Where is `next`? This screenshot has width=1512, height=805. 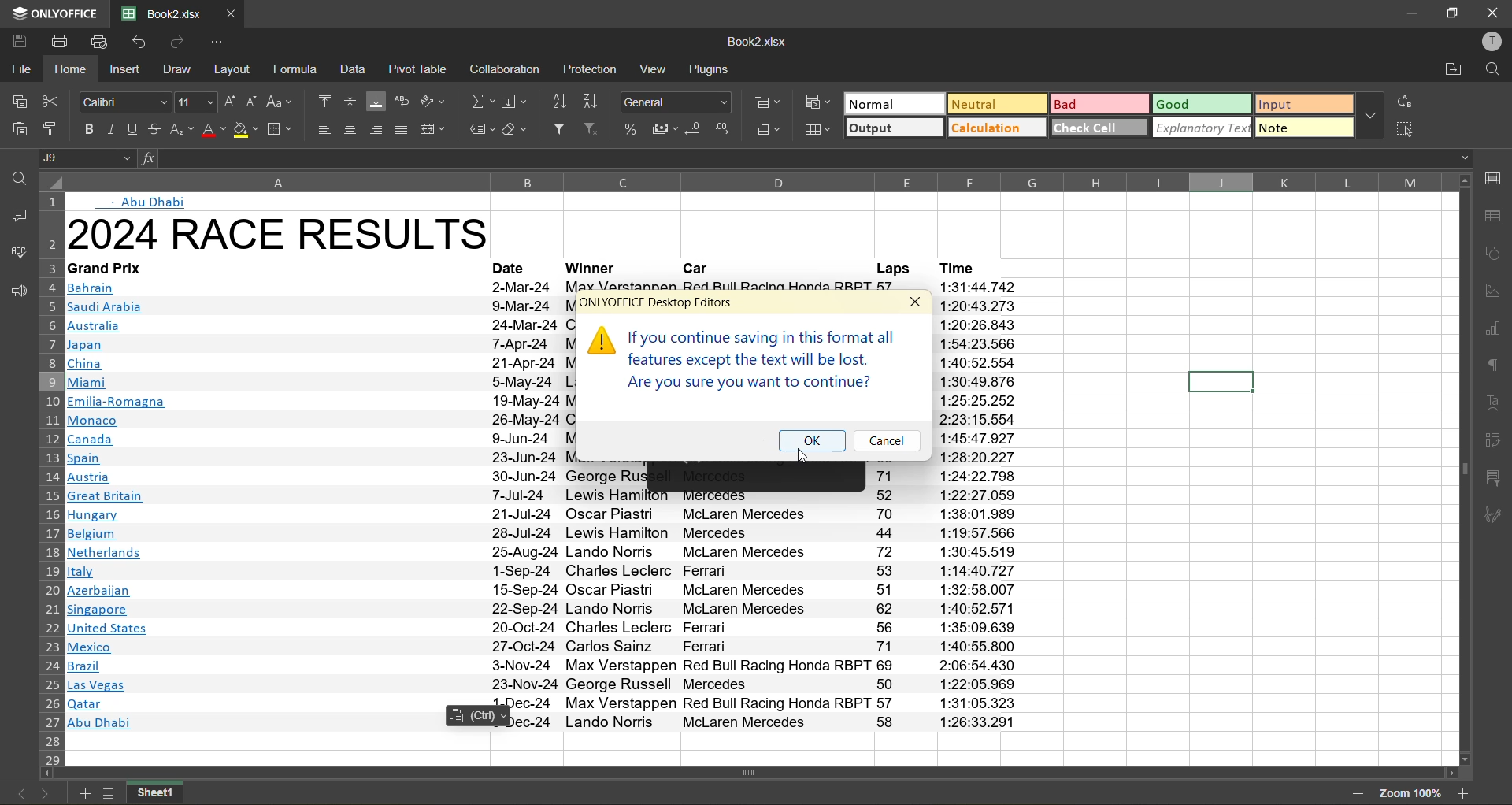
next is located at coordinates (44, 796).